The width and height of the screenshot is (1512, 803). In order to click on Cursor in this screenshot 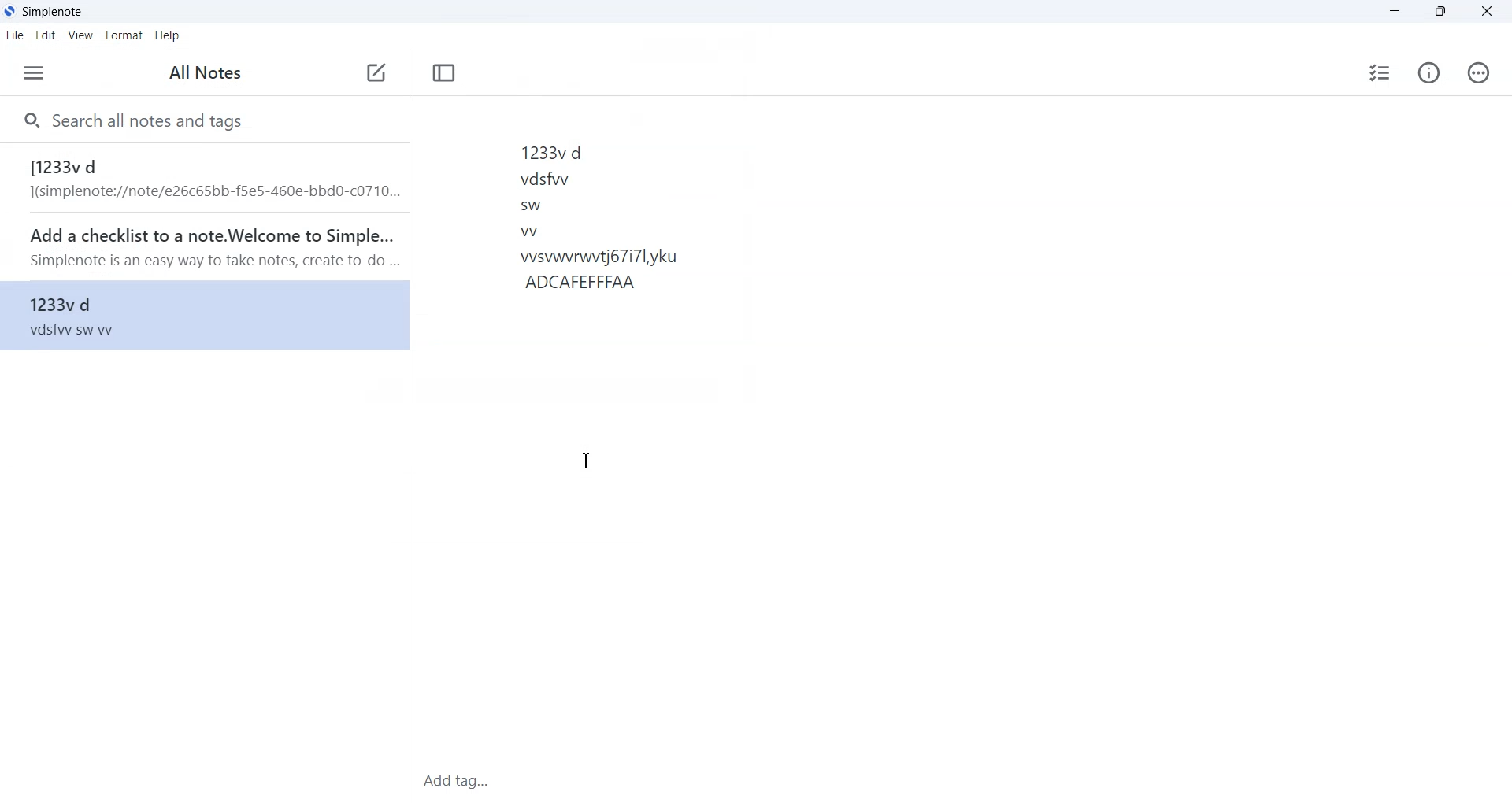, I will do `click(585, 461)`.